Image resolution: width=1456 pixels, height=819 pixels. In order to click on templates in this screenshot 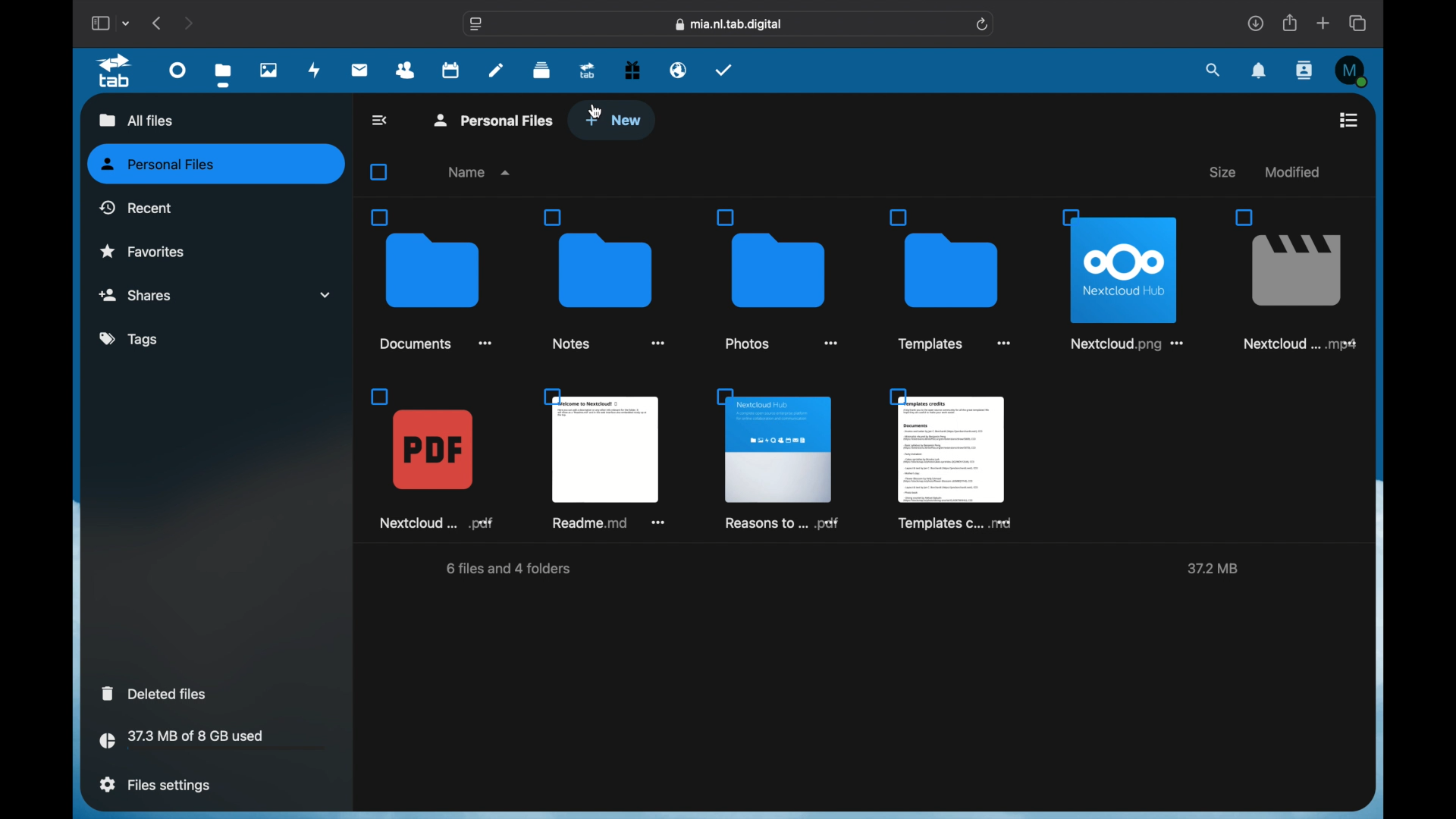, I will do `click(951, 459)`.